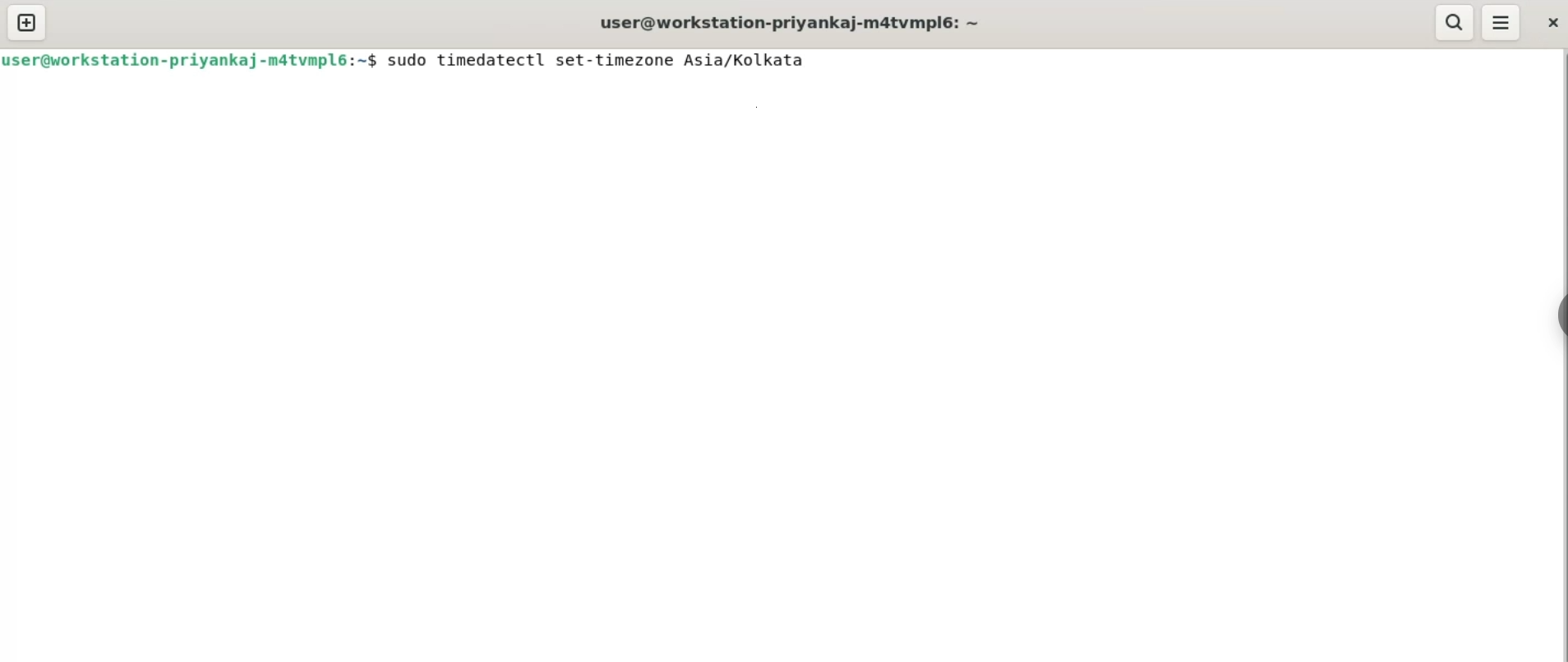 This screenshot has width=1568, height=662. Describe the element at coordinates (191, 60) in the screenshot. I see `user@workstation-priyankaj-matvmplé:~$` at that location.